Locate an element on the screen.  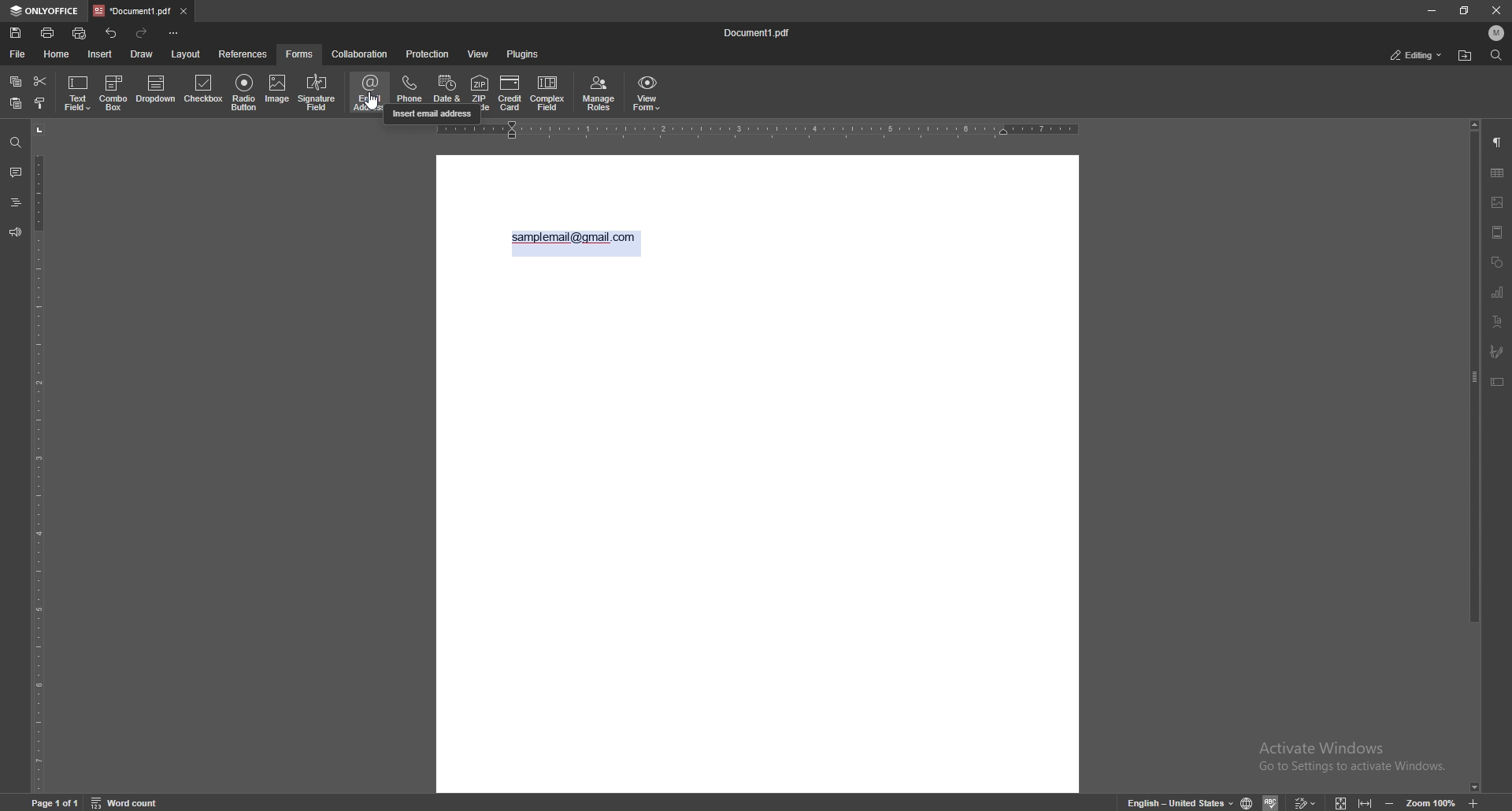
fit to width is located at coordinates (1364, 800).